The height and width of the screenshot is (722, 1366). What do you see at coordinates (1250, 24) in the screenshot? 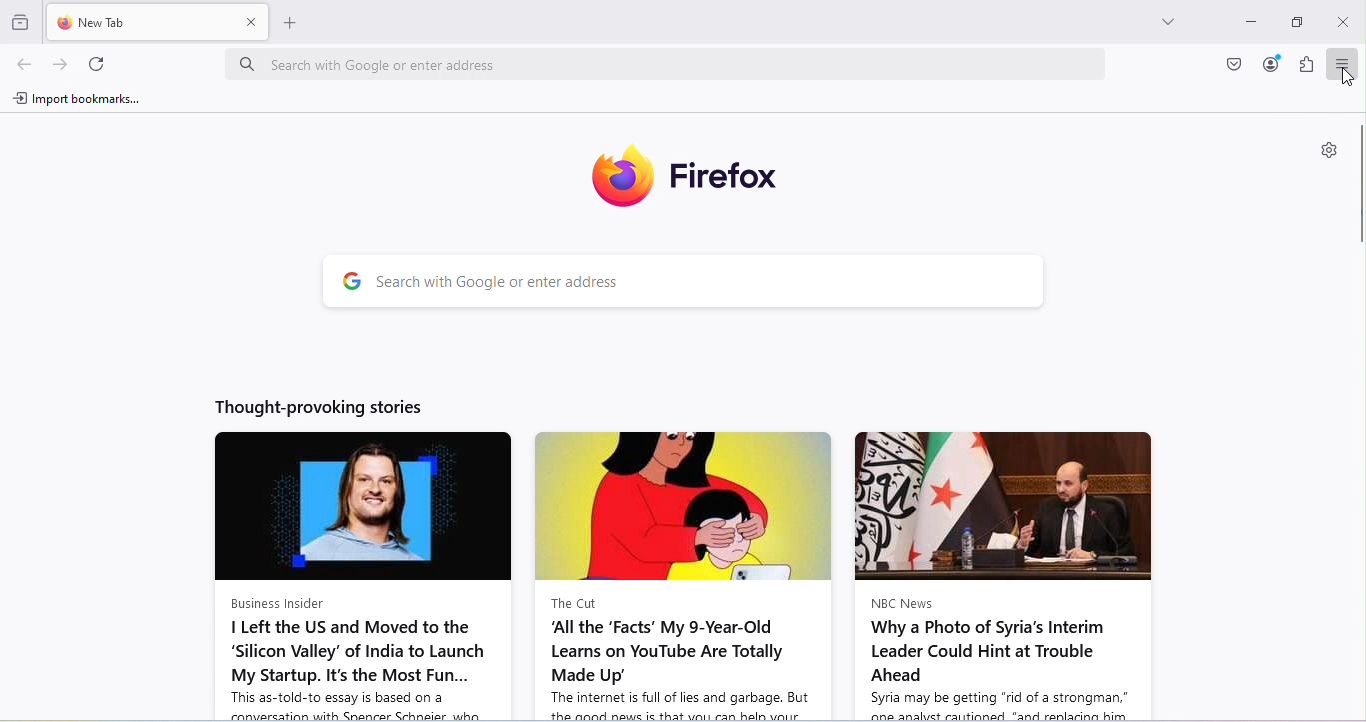
I see `Minimize` at bounding box center [1250, 24].